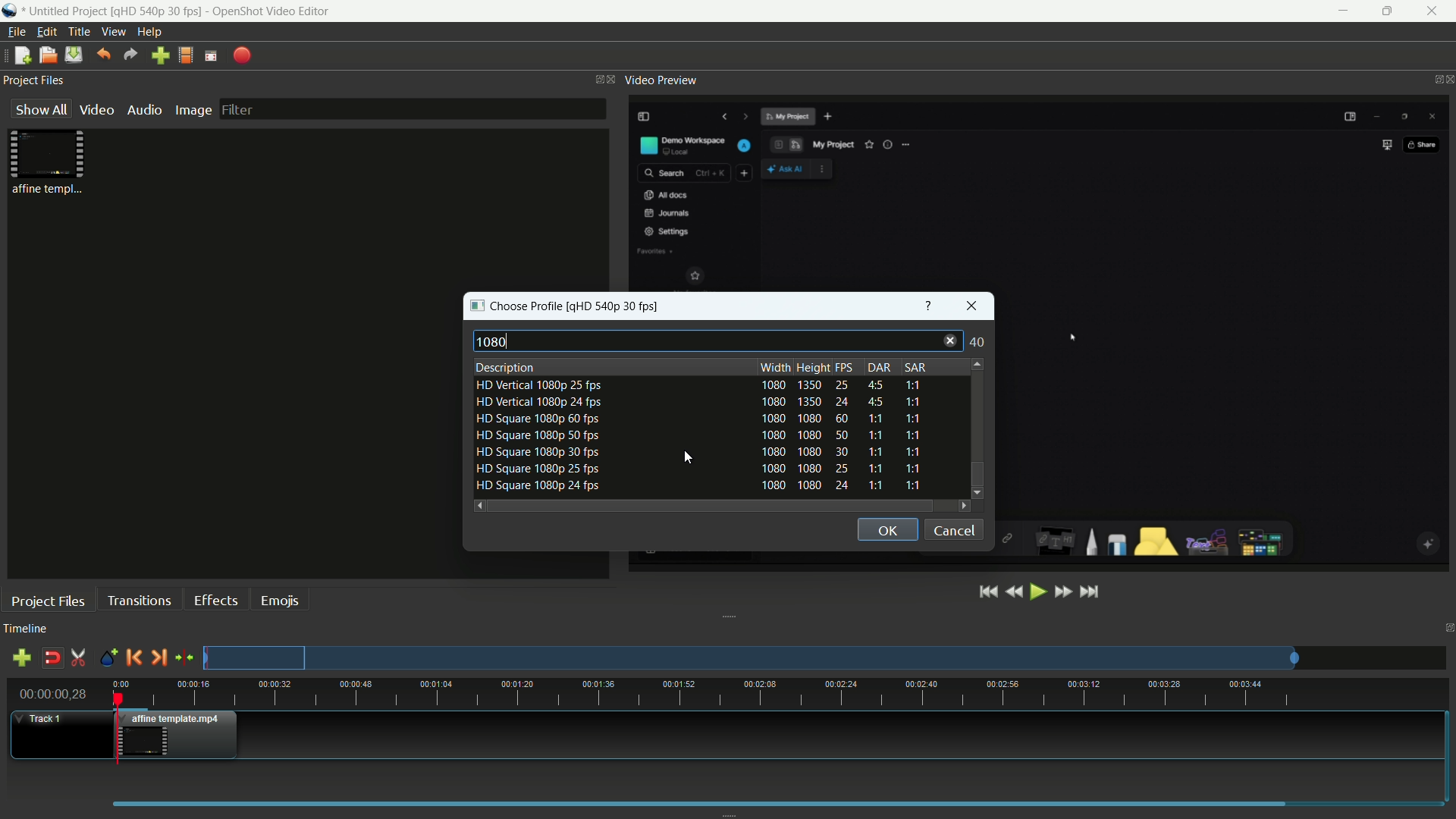 This screenshot has height=819, width=1456. Describe the element at coordinates (880, 368) in the screenshot. I see `dar` at that location.